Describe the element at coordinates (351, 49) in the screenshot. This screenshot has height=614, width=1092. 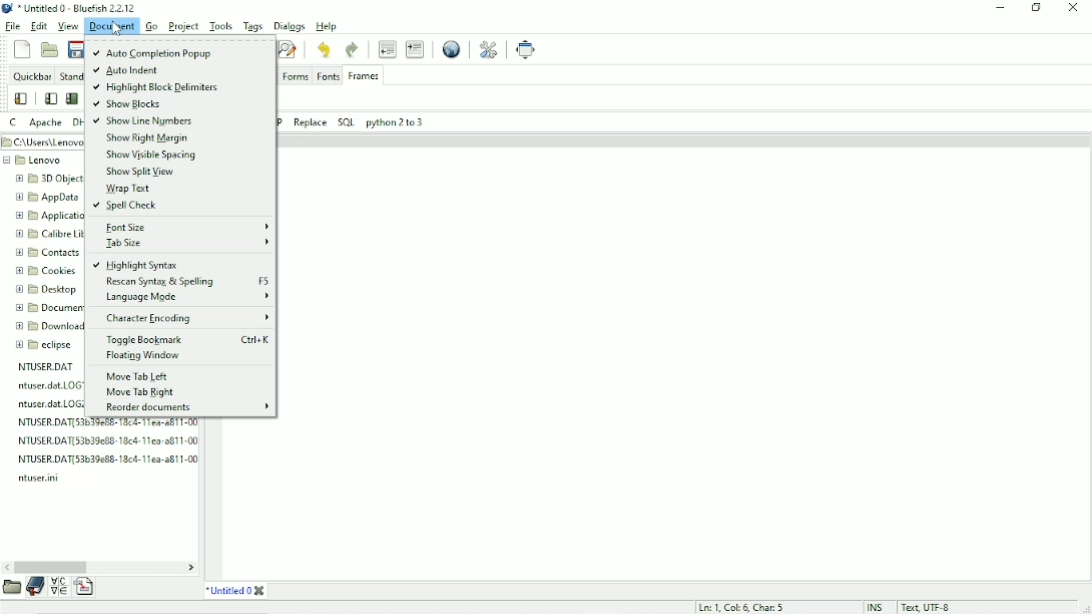
I see `Redo` at that location.